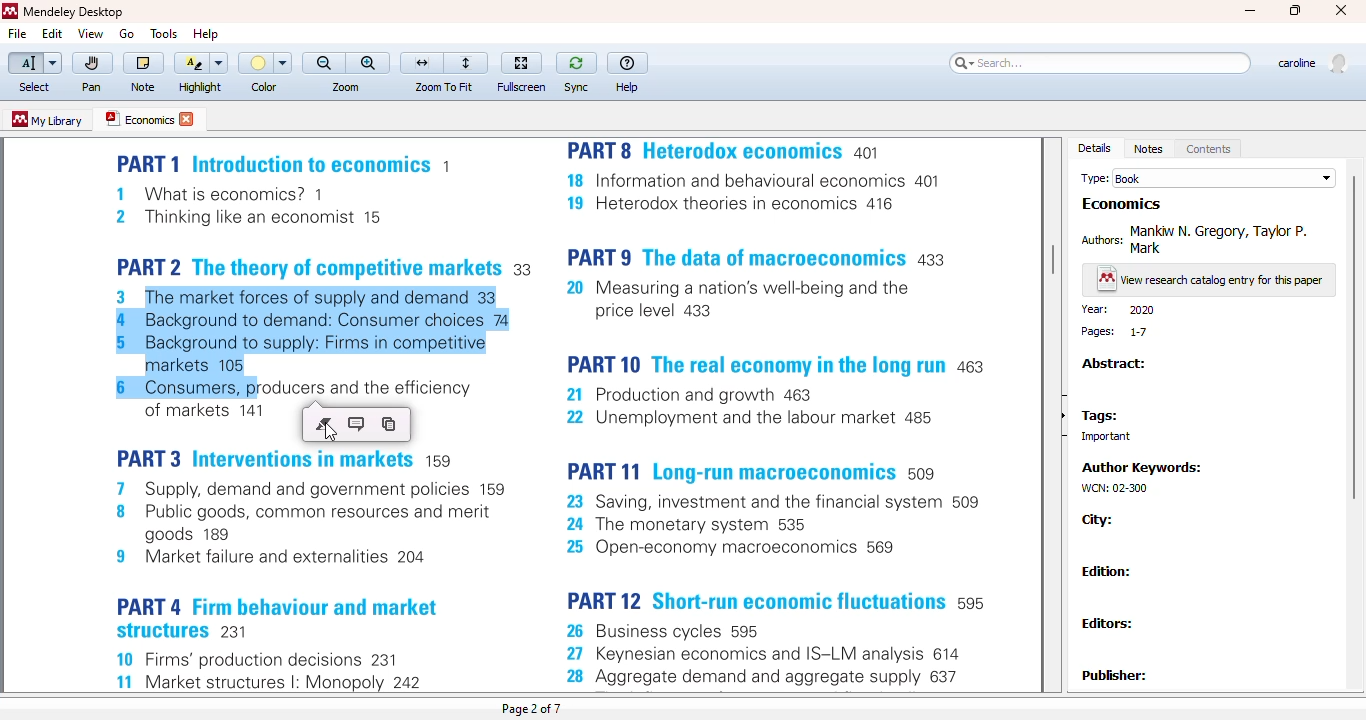 This screenshot has width=1366, height=720. What do you see at coordinates (34, 64) in the screenshot?
I see `select` at bounding box center [34, 64].